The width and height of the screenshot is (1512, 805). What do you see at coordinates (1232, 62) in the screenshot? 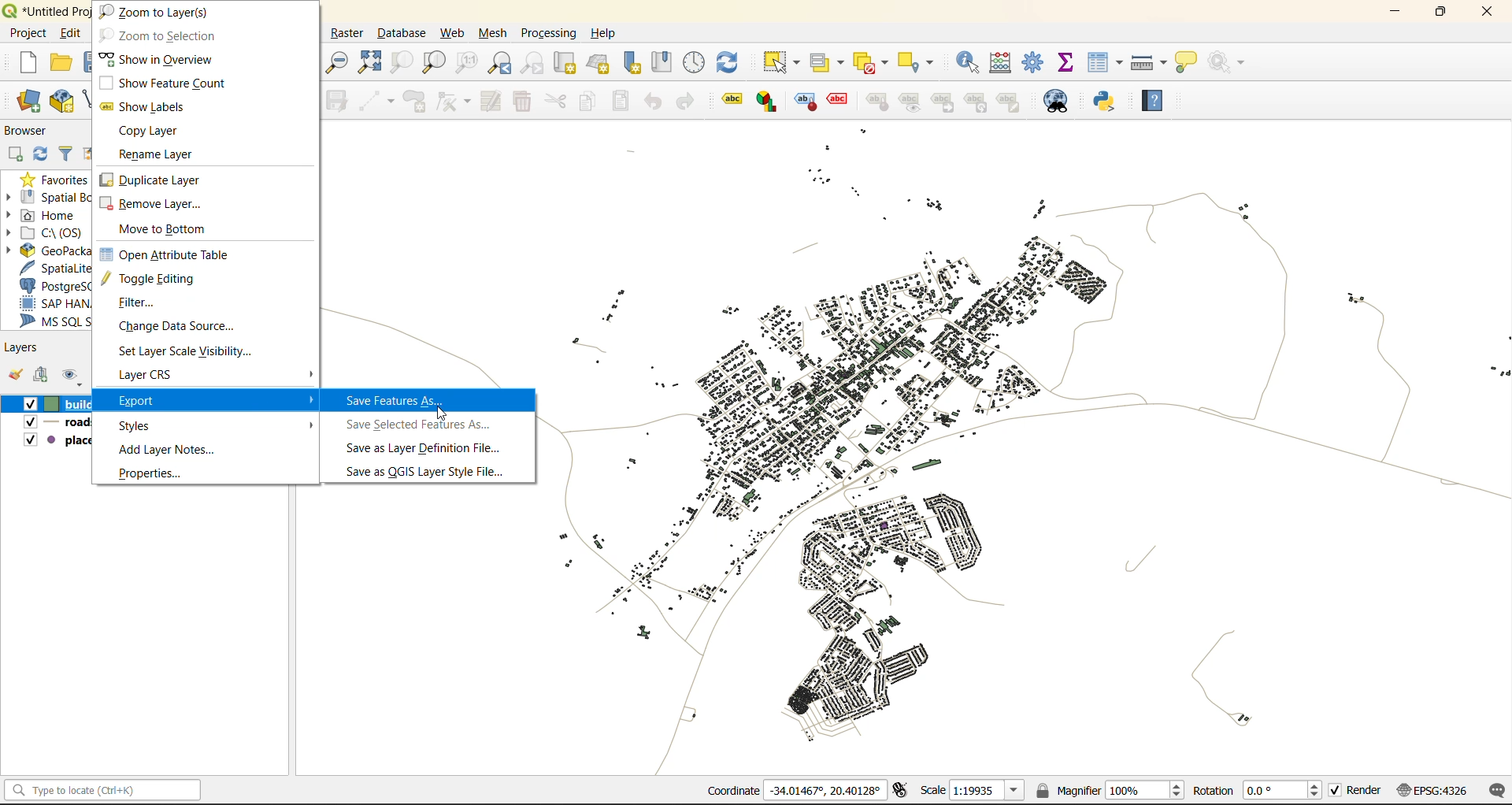
I see `no action` at bounding box center [1232, 62].